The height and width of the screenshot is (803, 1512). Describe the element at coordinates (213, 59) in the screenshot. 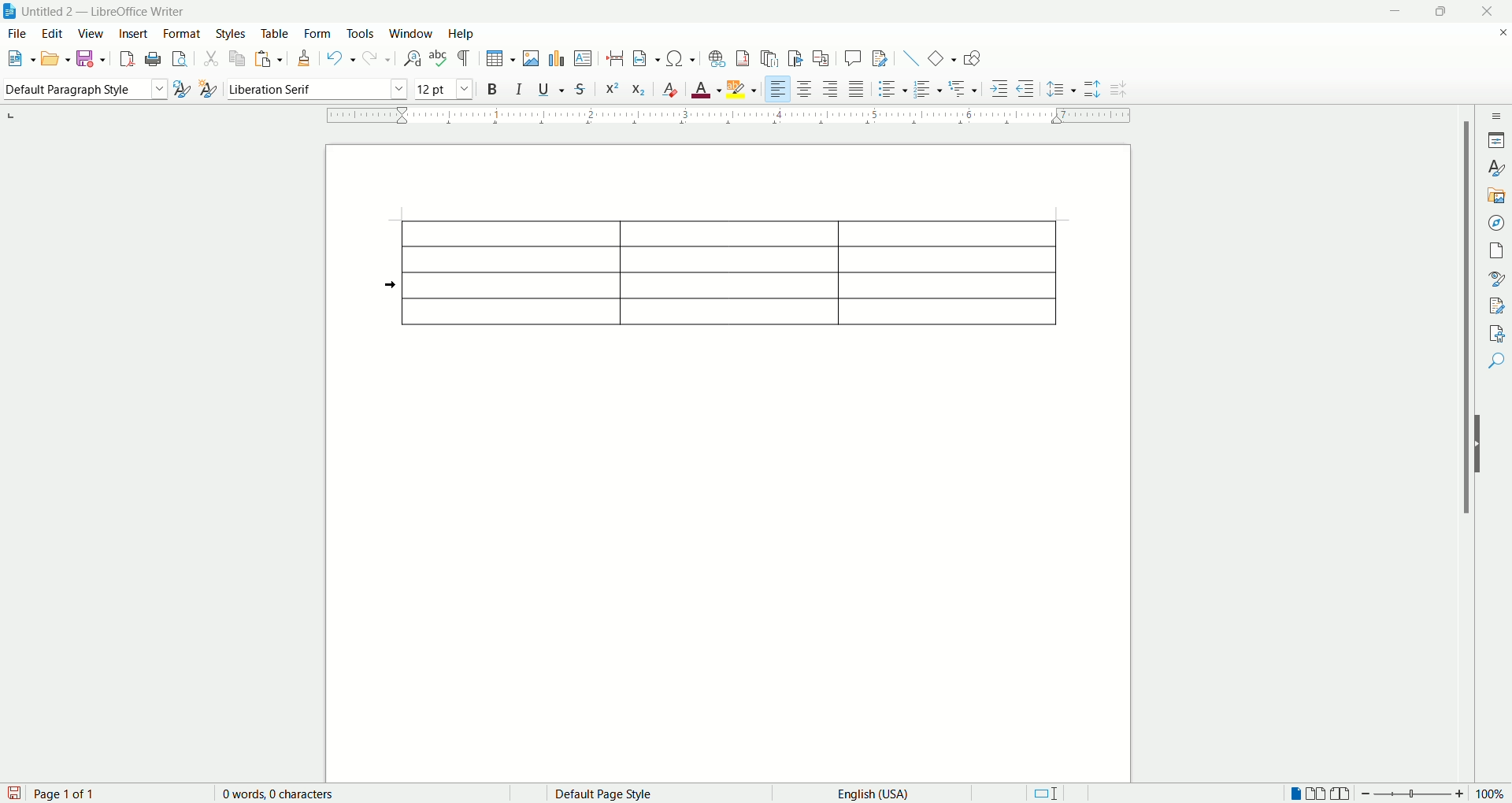

I see `cut` at that location.